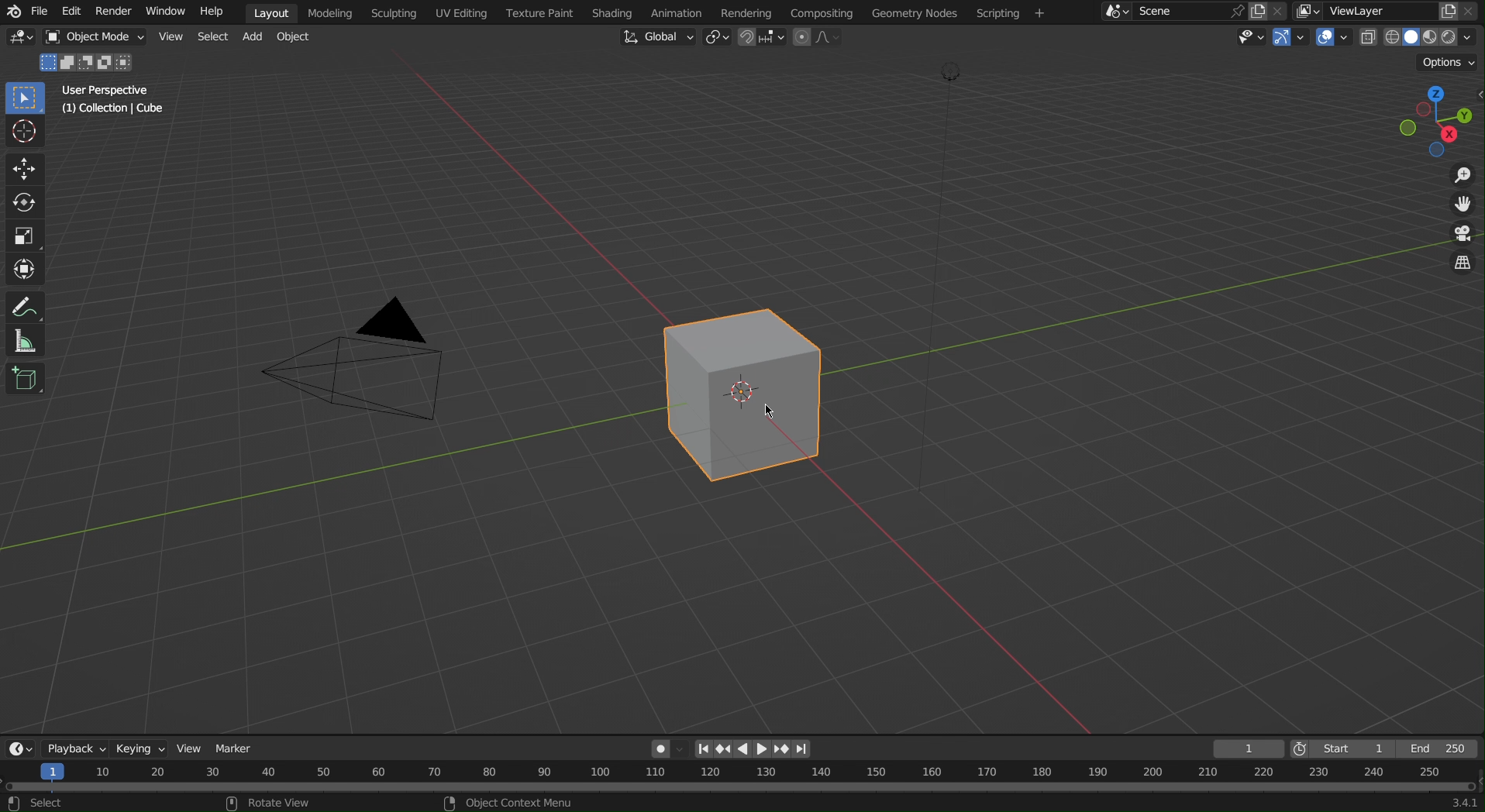  Describe the element at coordinates (105, 91) in the screenshot. I see `User Perspective` at that location.